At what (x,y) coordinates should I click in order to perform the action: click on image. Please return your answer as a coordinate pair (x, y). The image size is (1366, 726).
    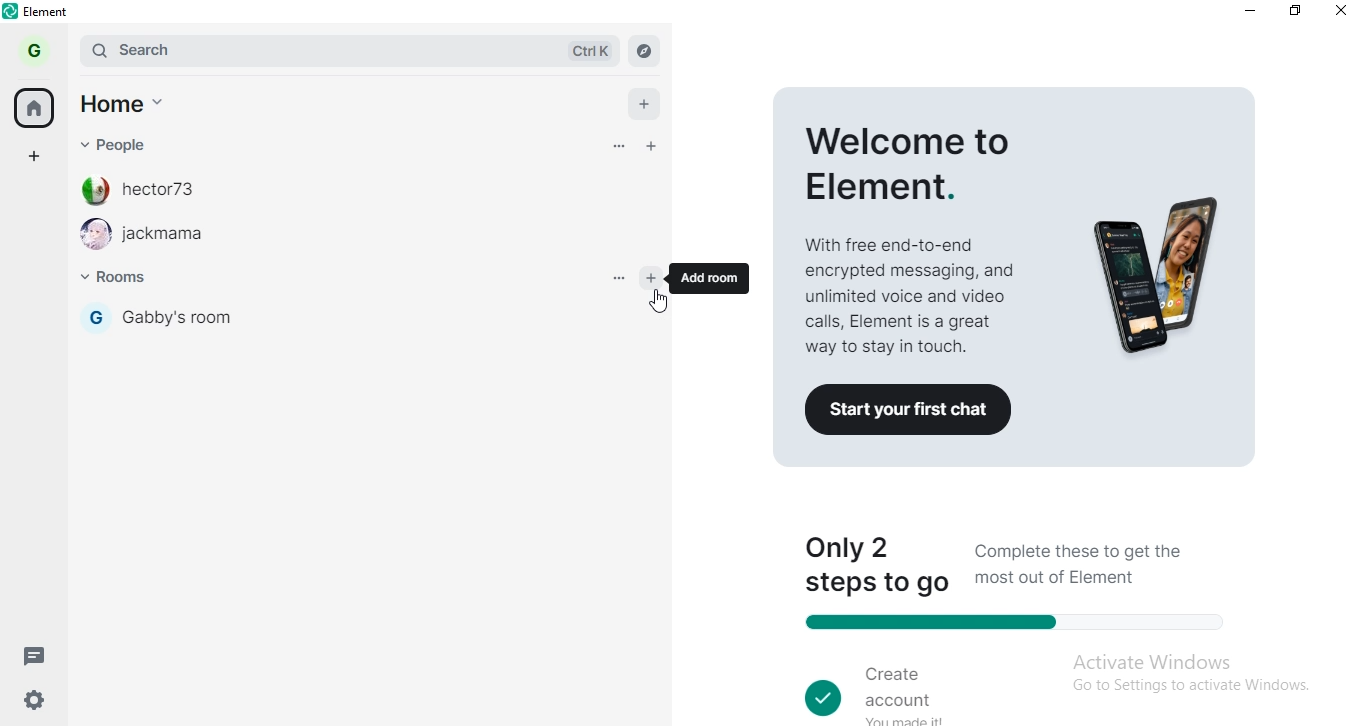
    Looking at the image, I should click on (1159, 277).